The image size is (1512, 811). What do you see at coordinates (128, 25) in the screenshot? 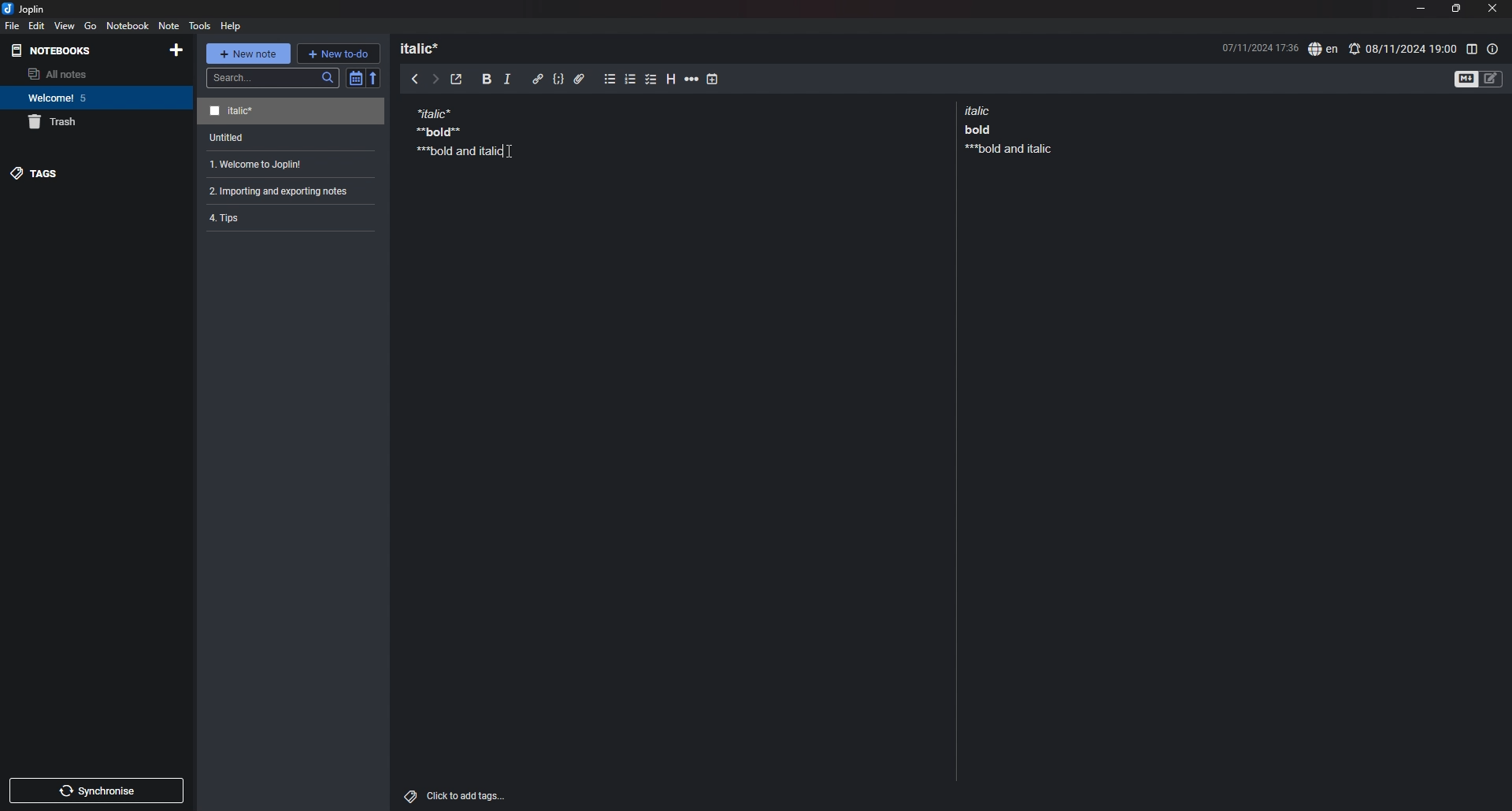
I see `notebook` at bounding box center [128, 25].